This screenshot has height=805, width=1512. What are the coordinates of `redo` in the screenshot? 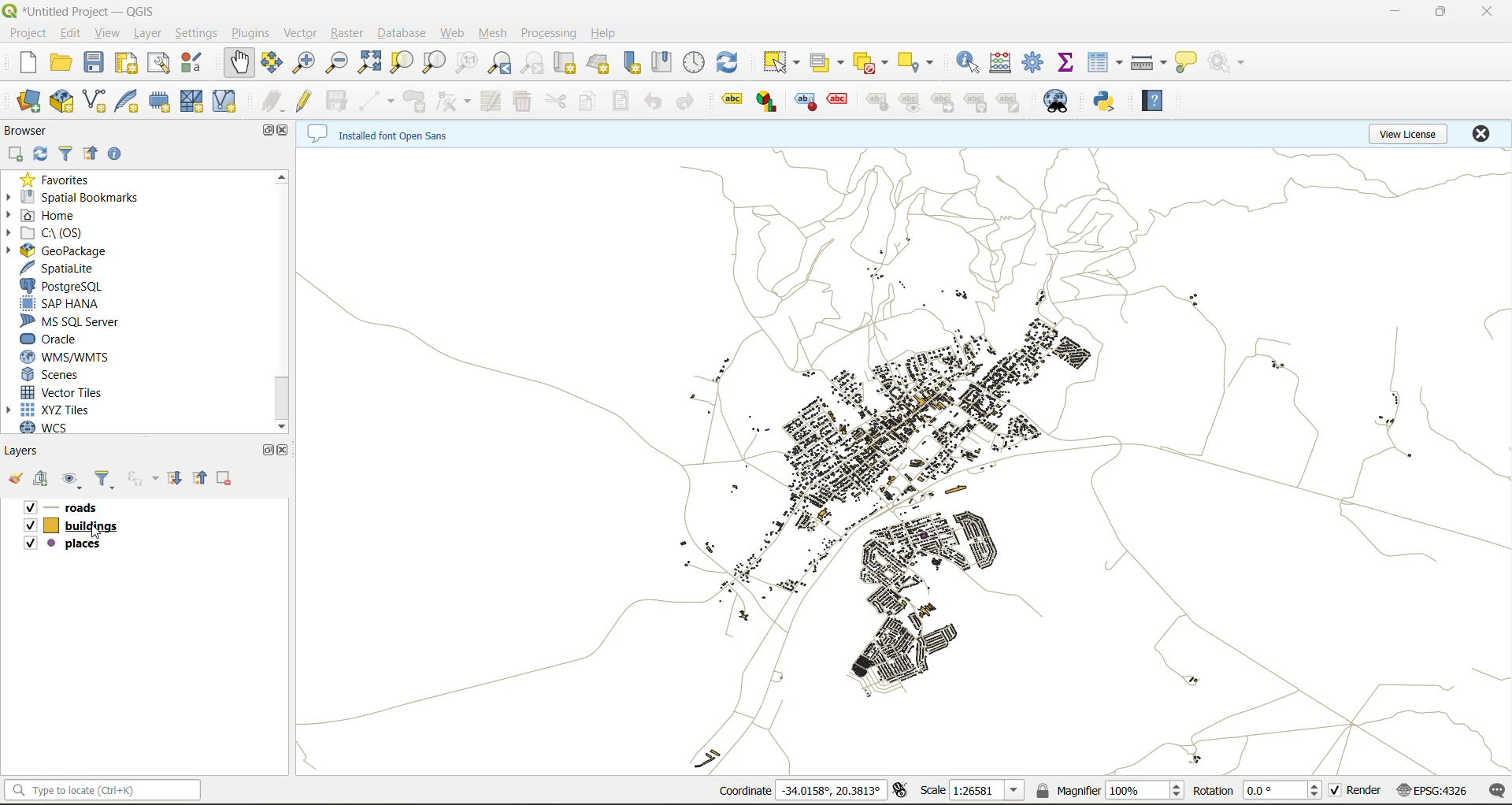 It's located at (691, 99).